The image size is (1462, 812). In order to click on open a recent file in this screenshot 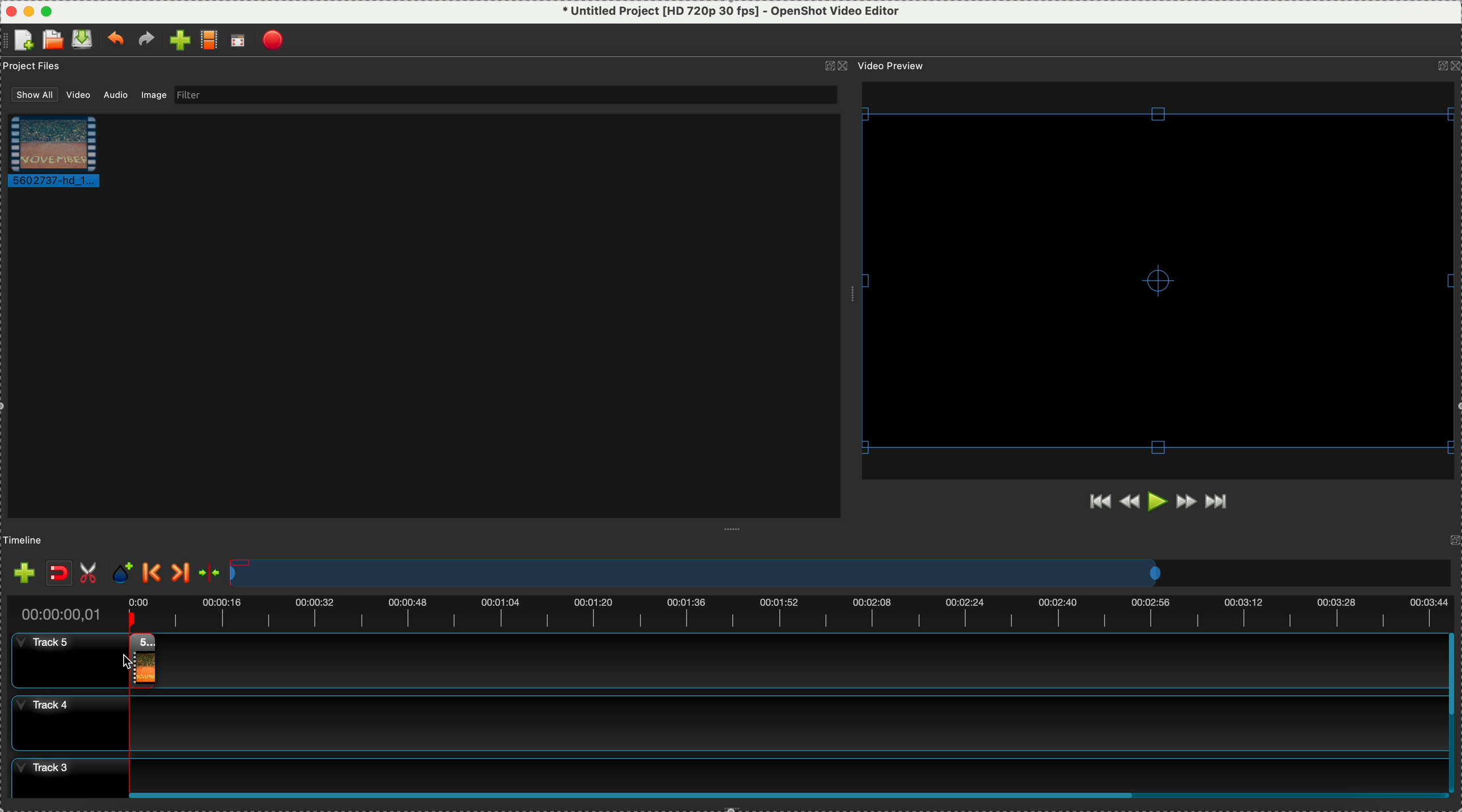, I will do `click(52, 40)`.